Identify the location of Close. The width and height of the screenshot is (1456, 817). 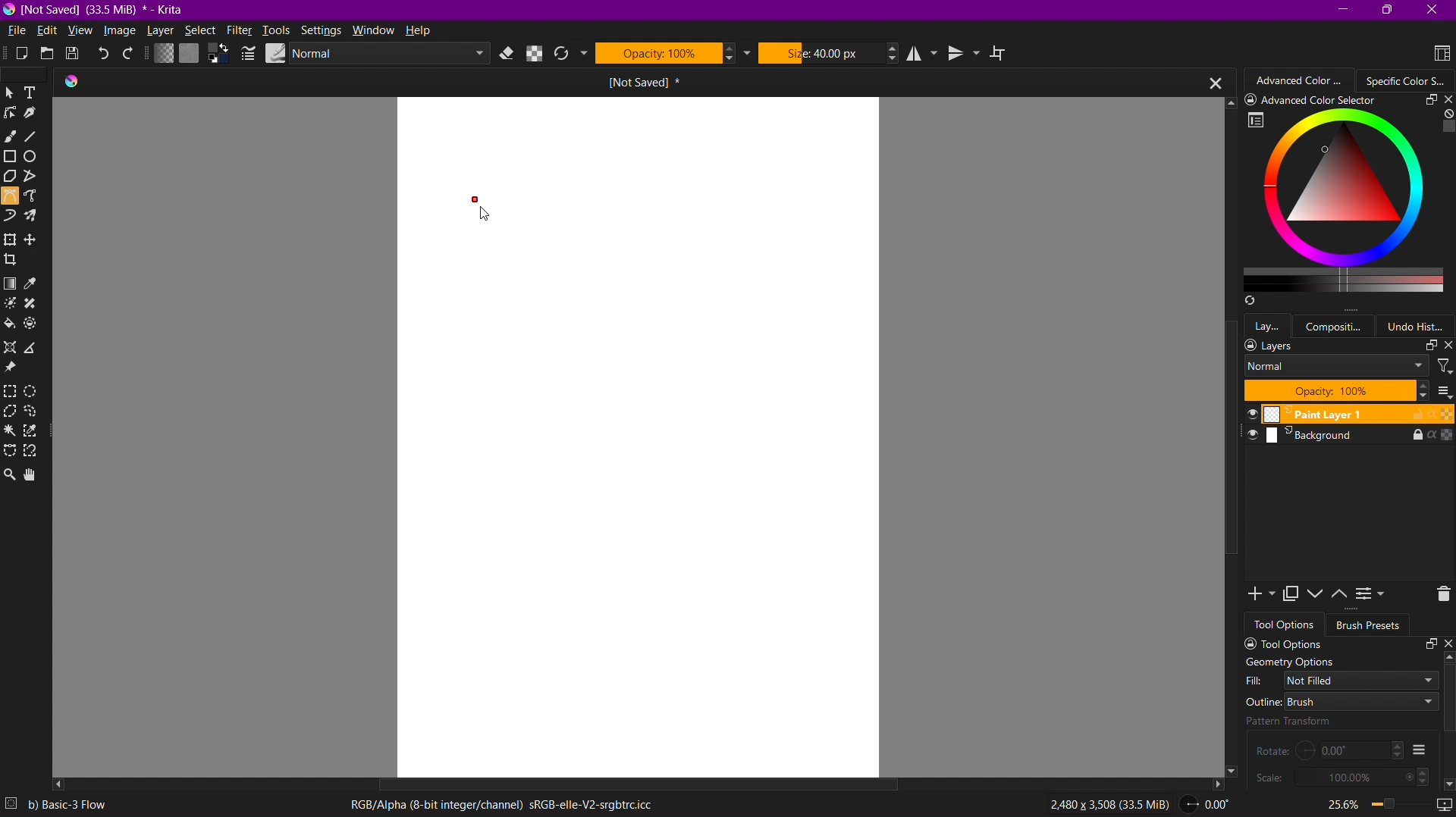
(1435, 10).